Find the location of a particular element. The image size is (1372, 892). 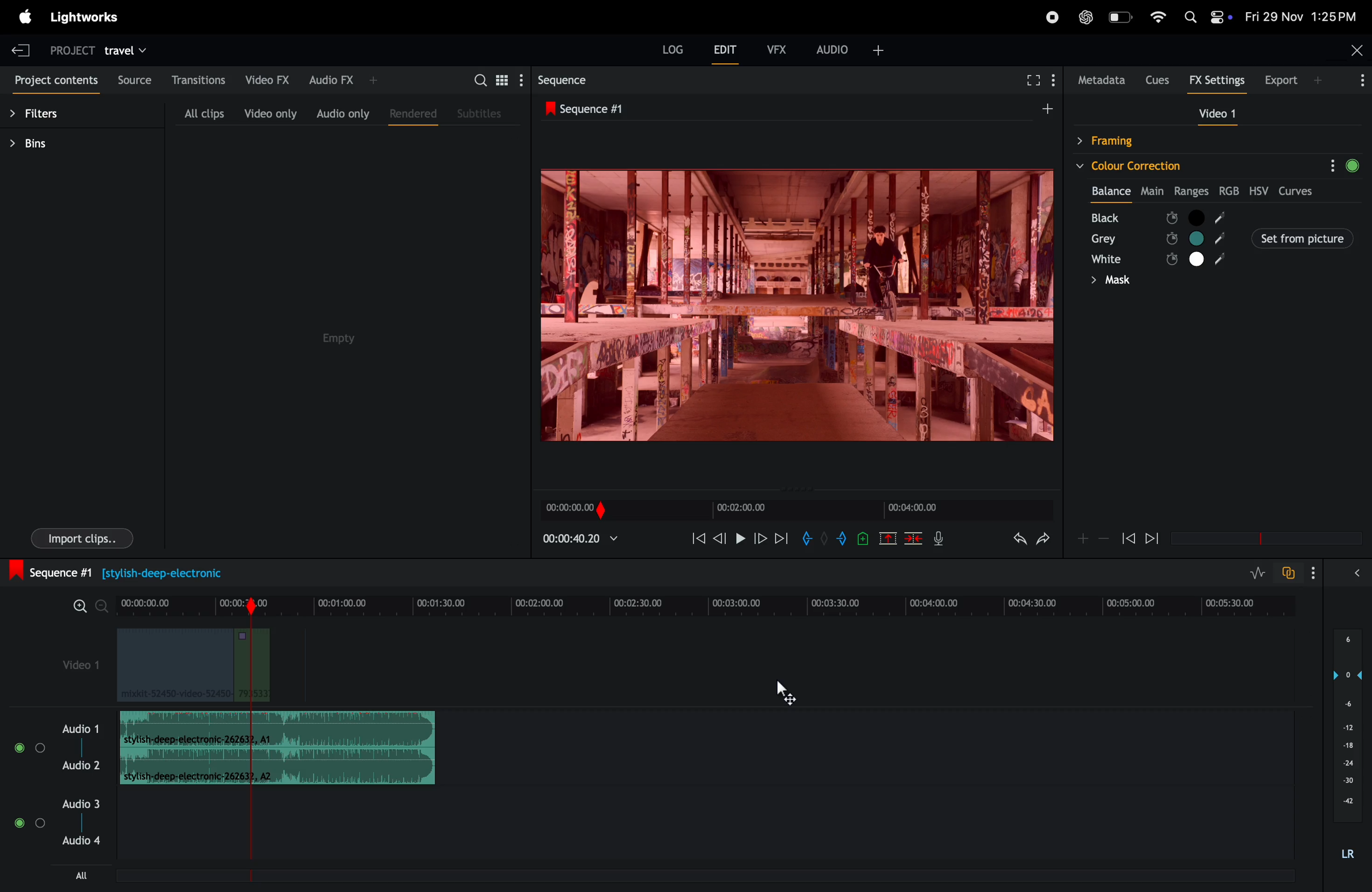

sequence #1 is located at coordinates (794, 107).